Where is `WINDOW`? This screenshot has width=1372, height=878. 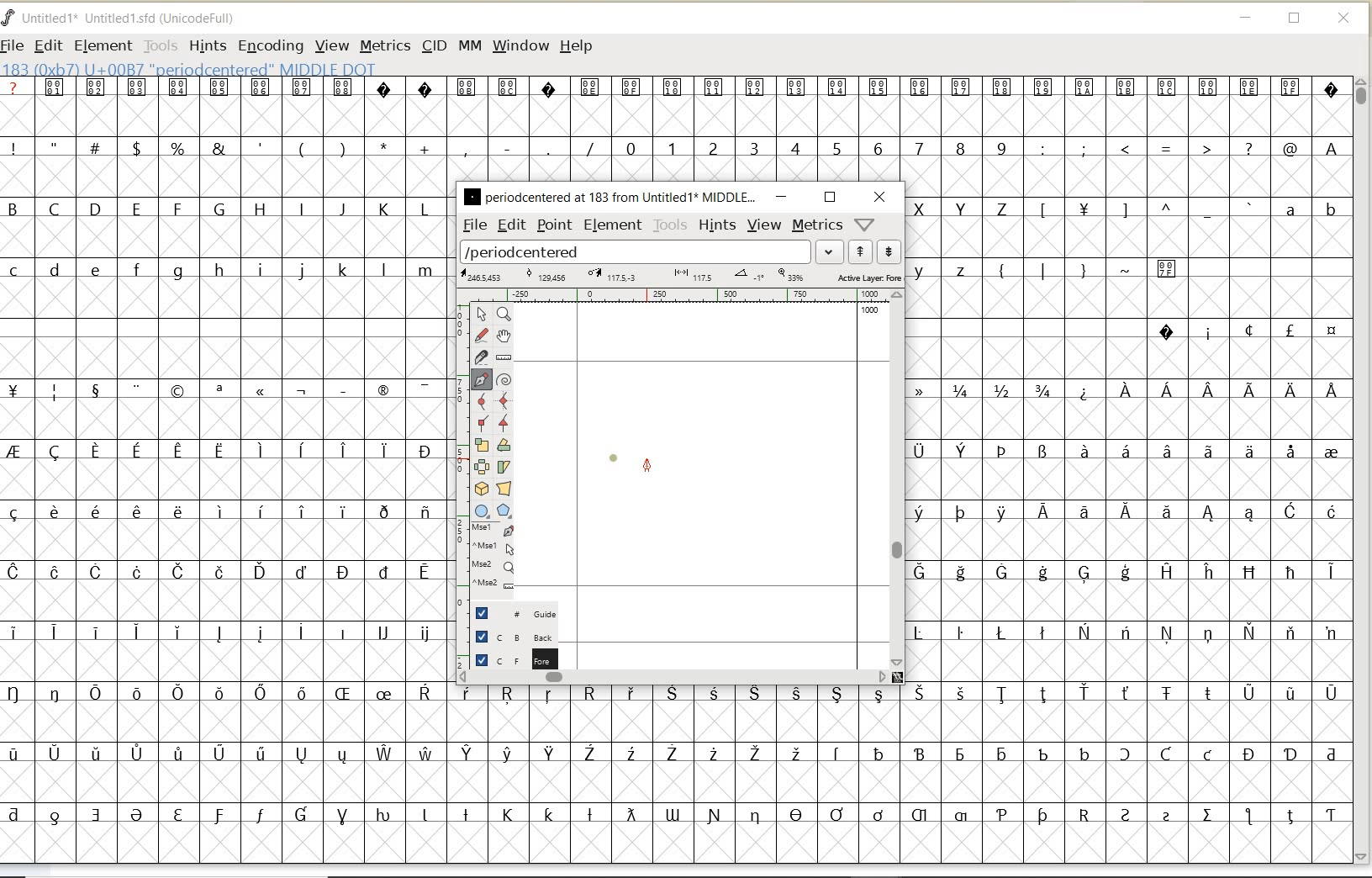 WINDOW is located at coordinates (520, 45).